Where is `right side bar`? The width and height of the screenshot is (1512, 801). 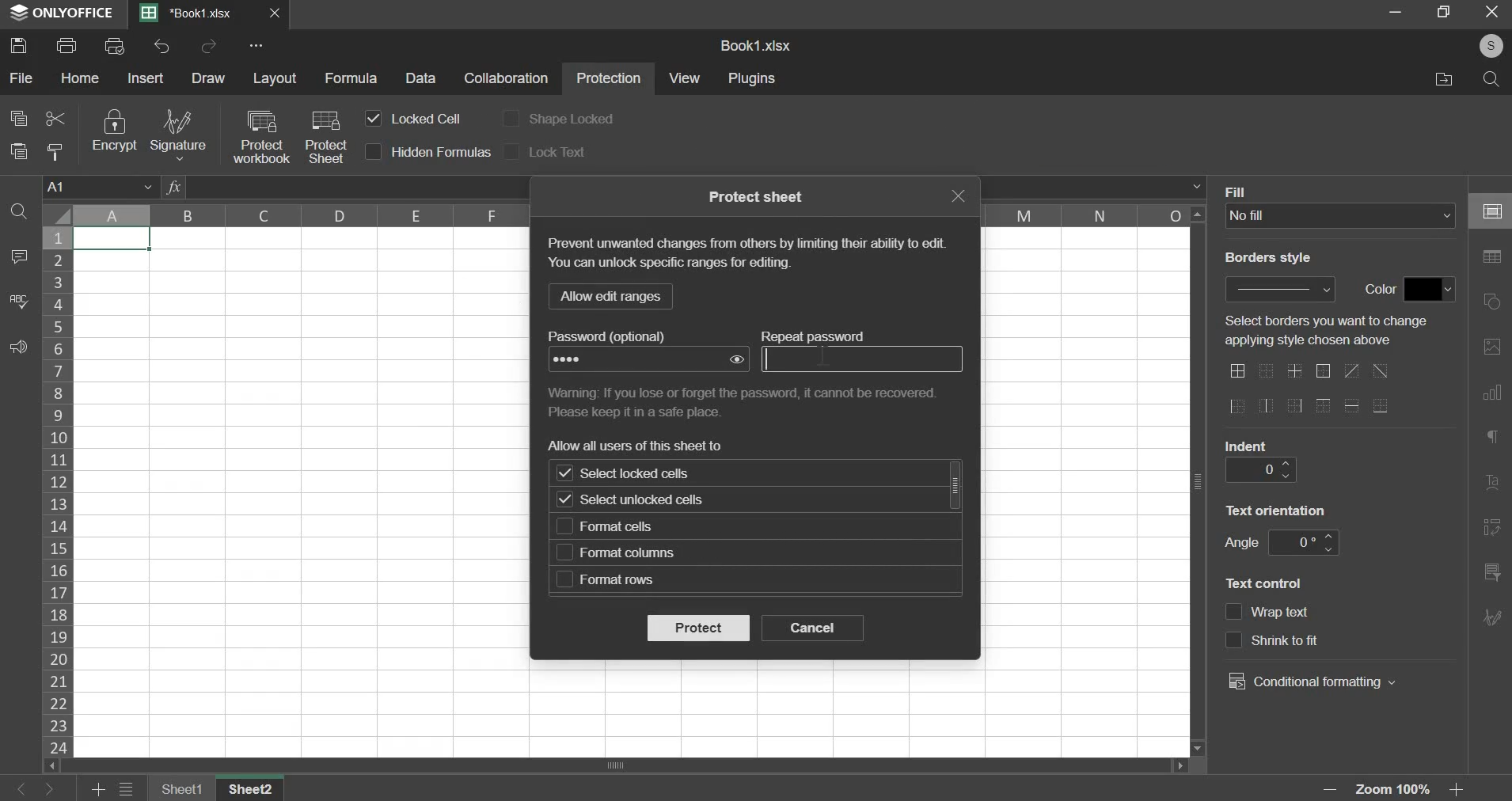 right side bar is located at coordinates (1492, 484).